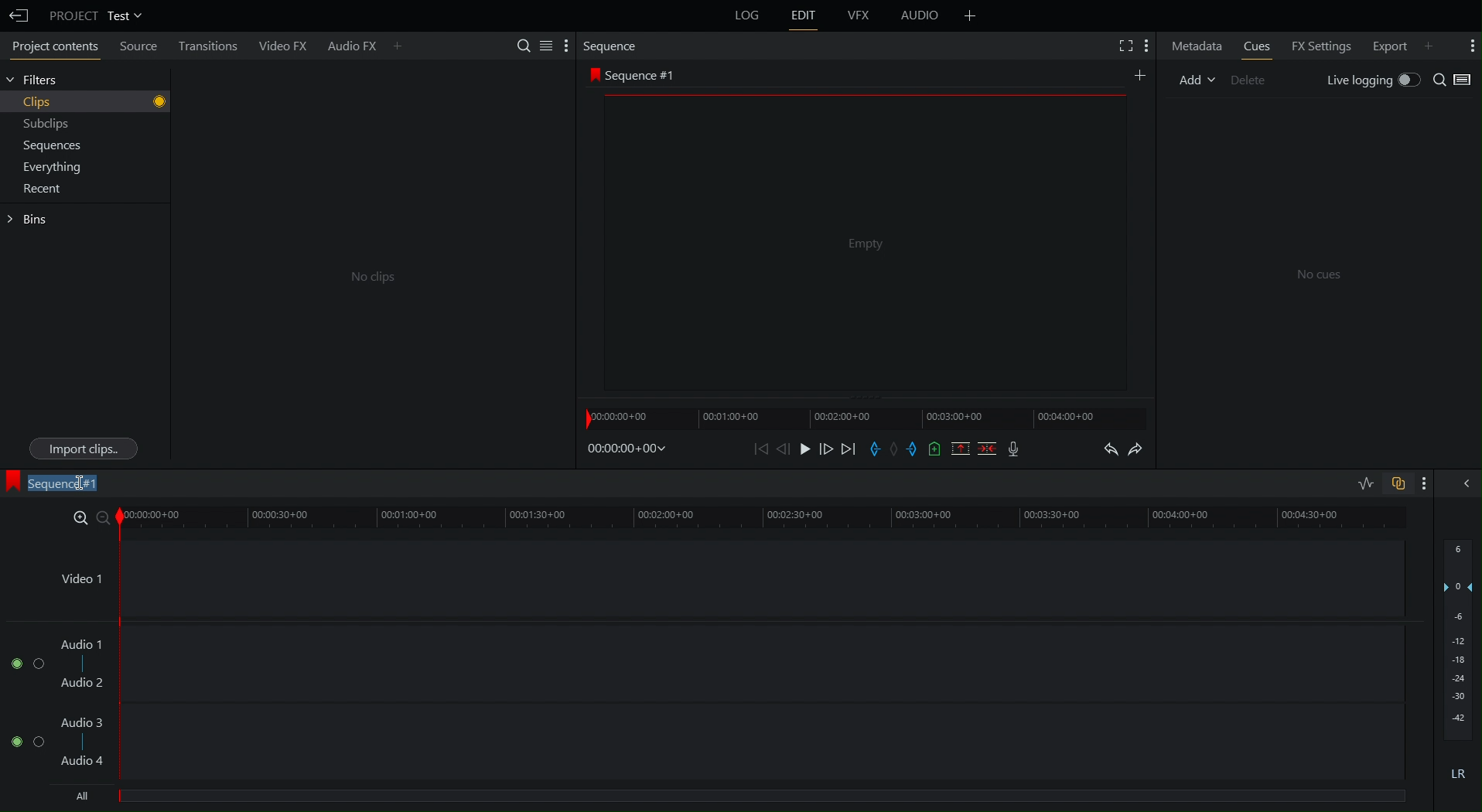 This screenshot has width=1482, height=812. Describe the element at coordinates (1012, 448) in the screenshot. I see `Mic` at that location.